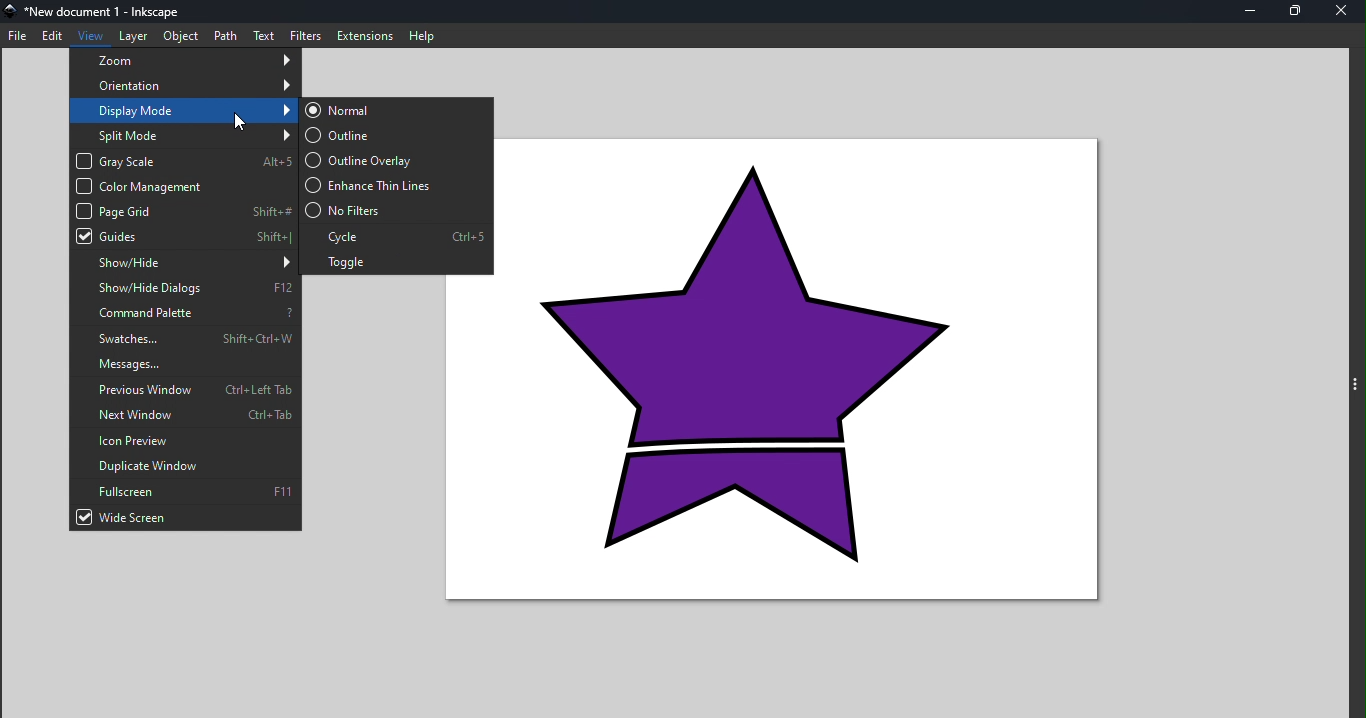 The height and width of the screenshot is (718, 1366). Describe the element at coordinates (185, 59) in the screenshot. I see `Zoom` at that location.